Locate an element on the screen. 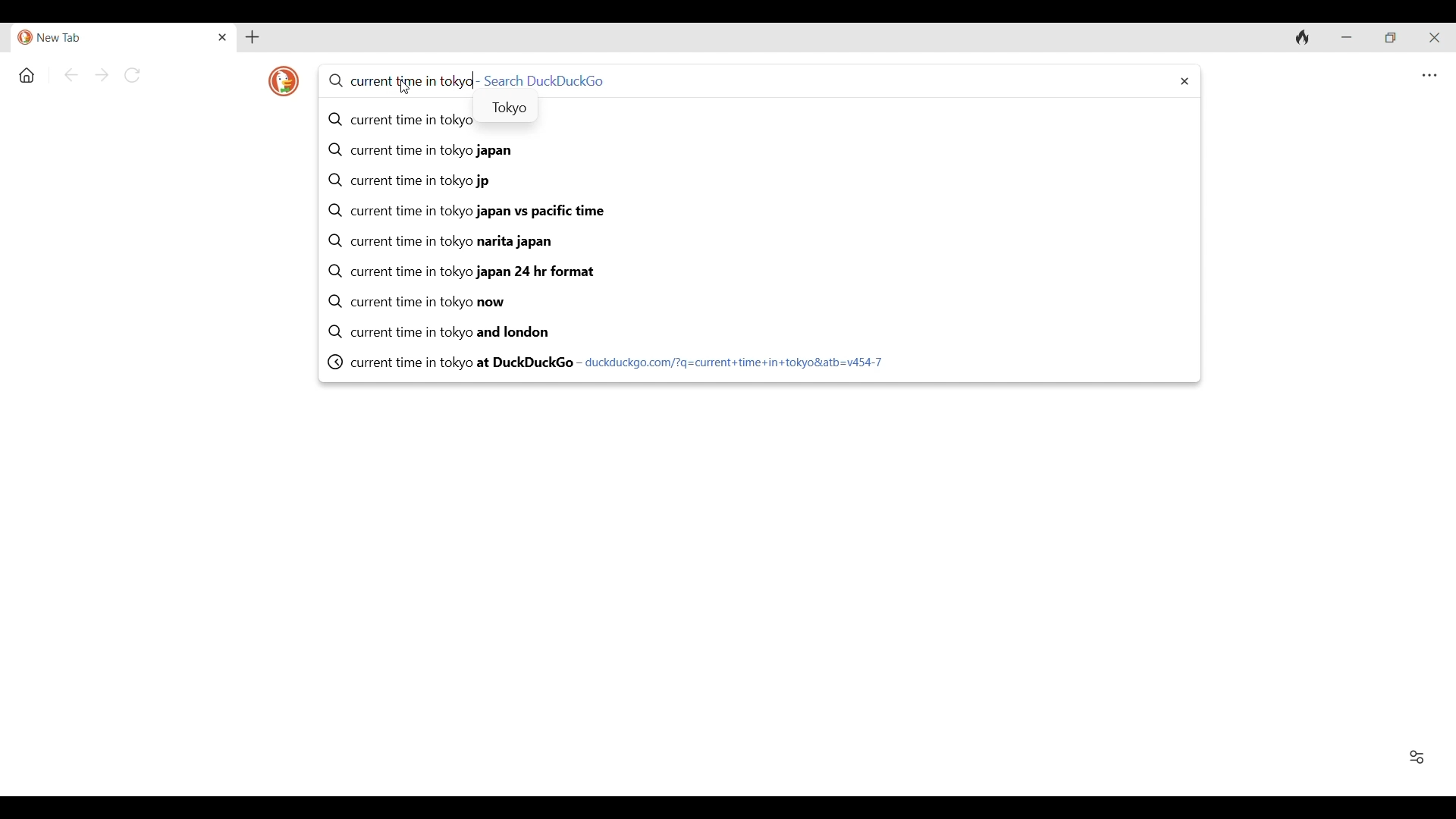 The height and width of the screenshot is (819, 1456). current time in tokyo japan vs pacific time is located at coordinates (466, 212).